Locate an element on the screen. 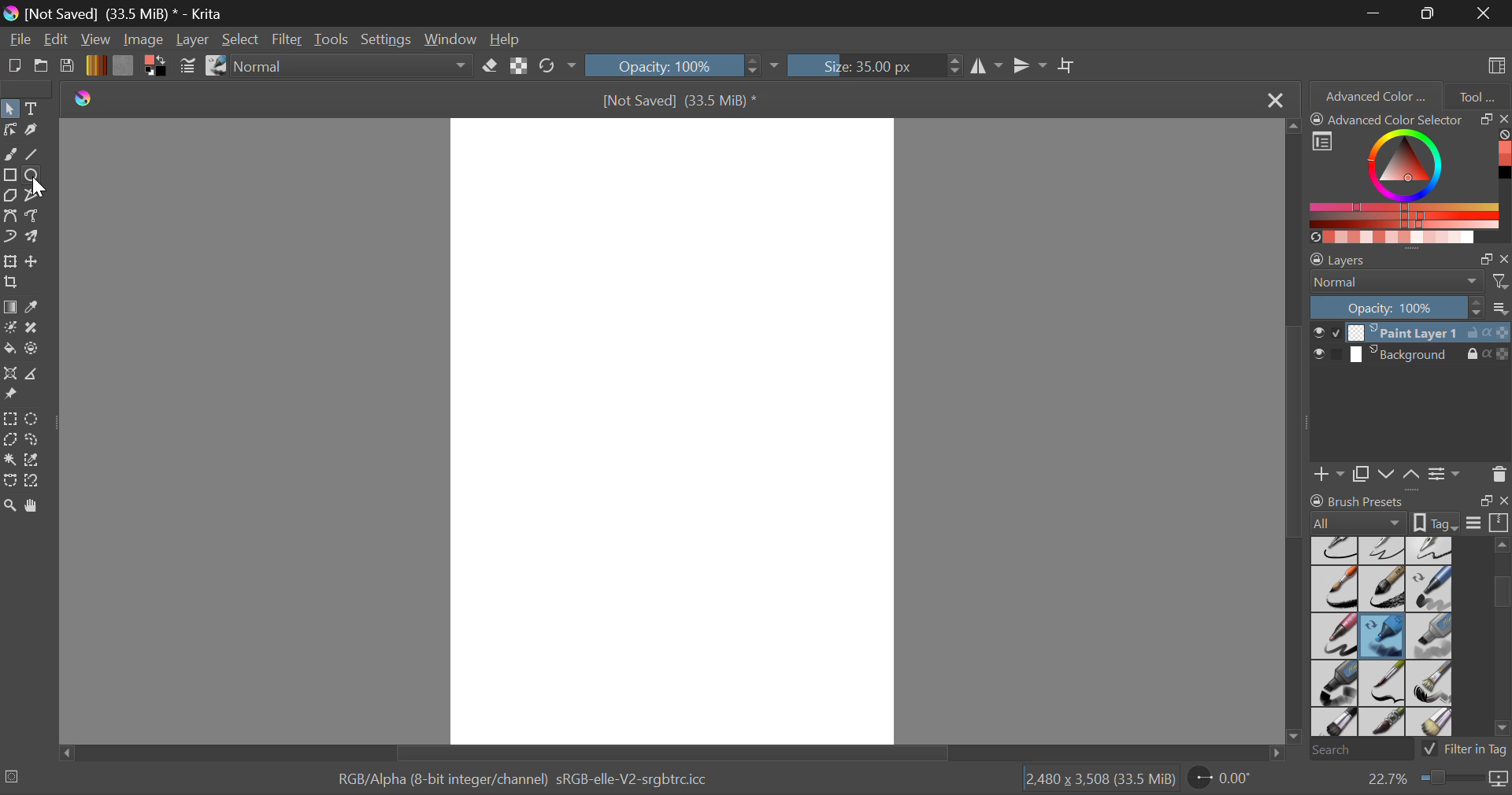 This screenshot has height=795, width=1512. Ink-2 Fineliner is located at coordinates (1336, 549).